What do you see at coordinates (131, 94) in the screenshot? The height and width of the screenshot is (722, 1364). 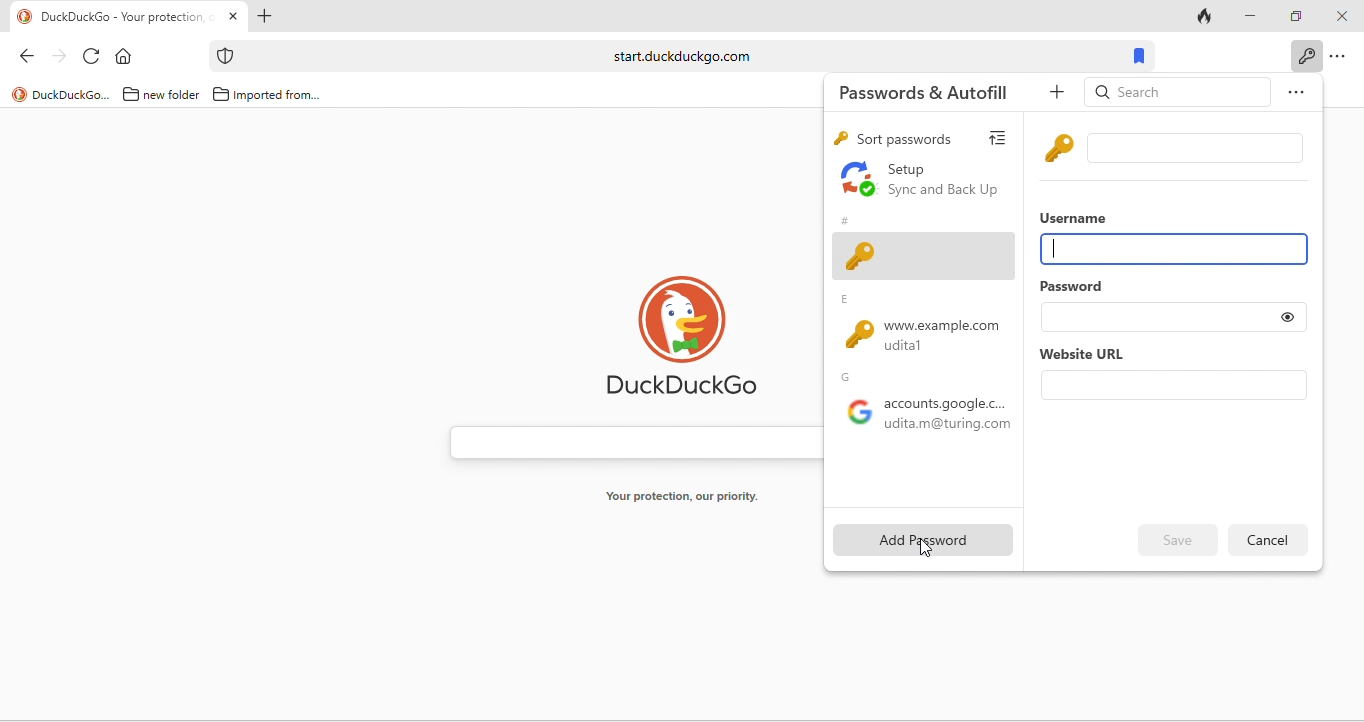 I see `folder icon` at bounding box center [131, 94].